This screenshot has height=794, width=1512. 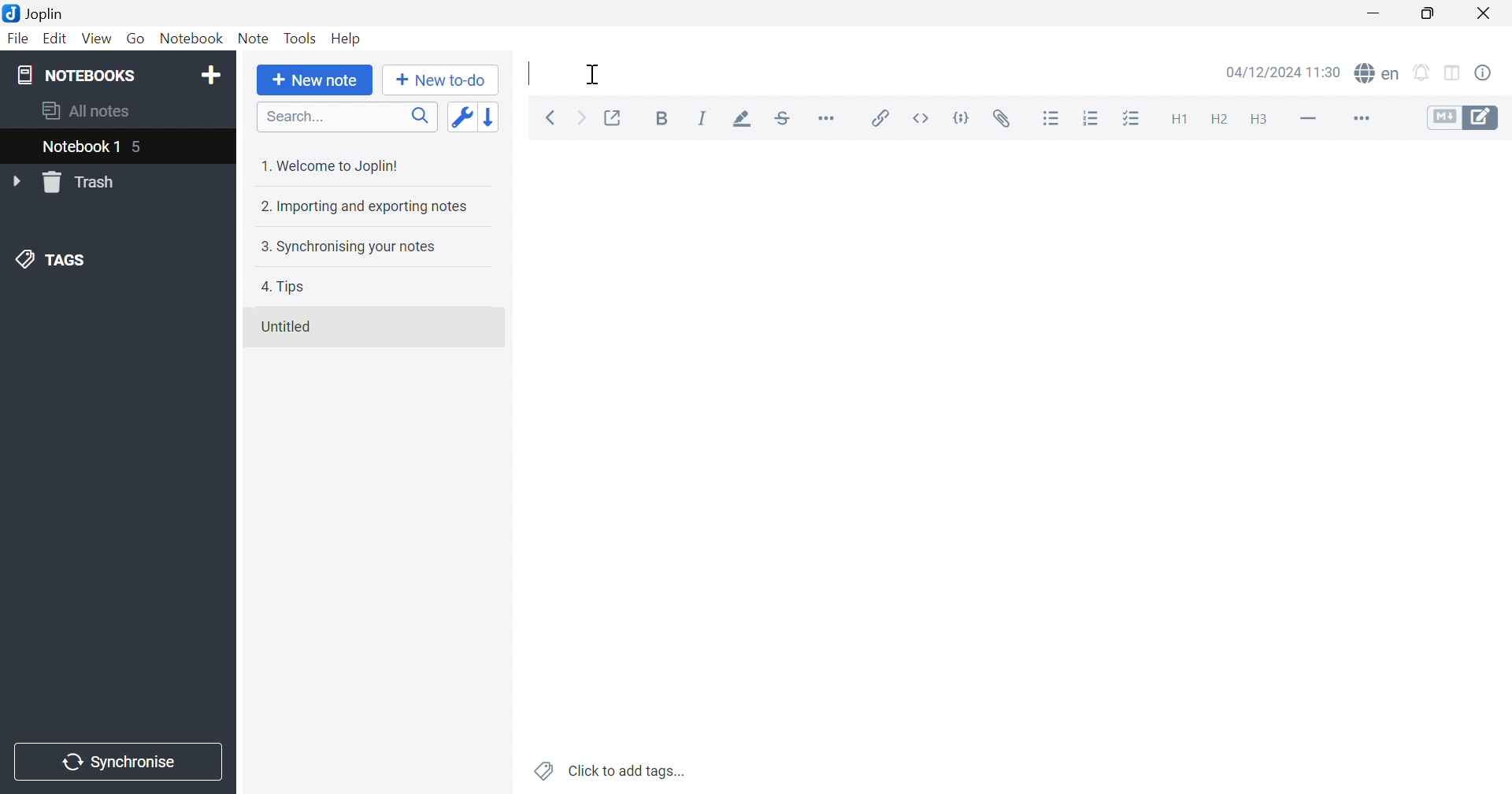 What do you see at coordinates (20, 38) in the screenshot?
I see `File` at bounding box center [20, 38].